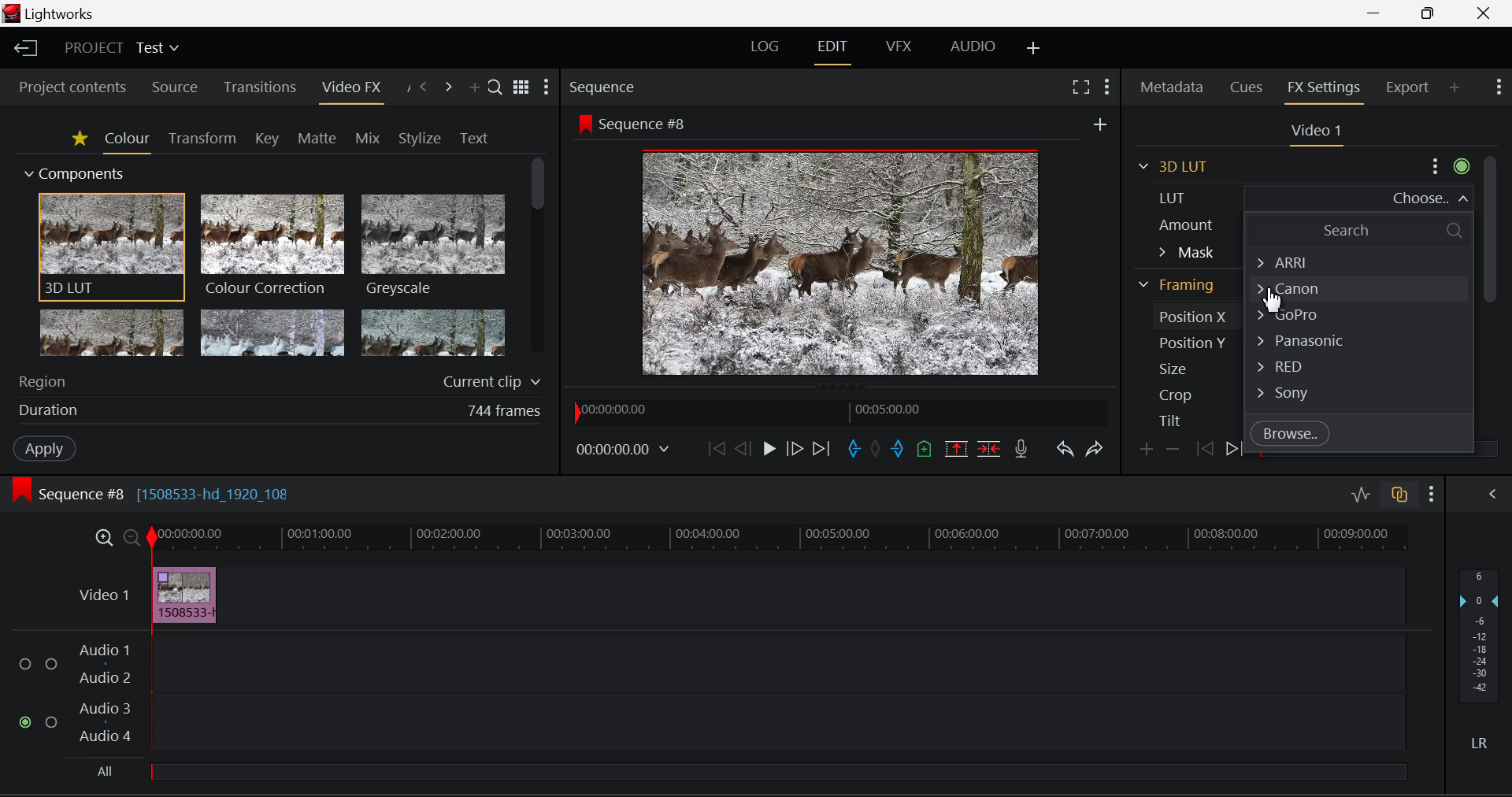  Describe the element at coordinates (474, 85) in the screenshot. I see `Add Panel` at that location.